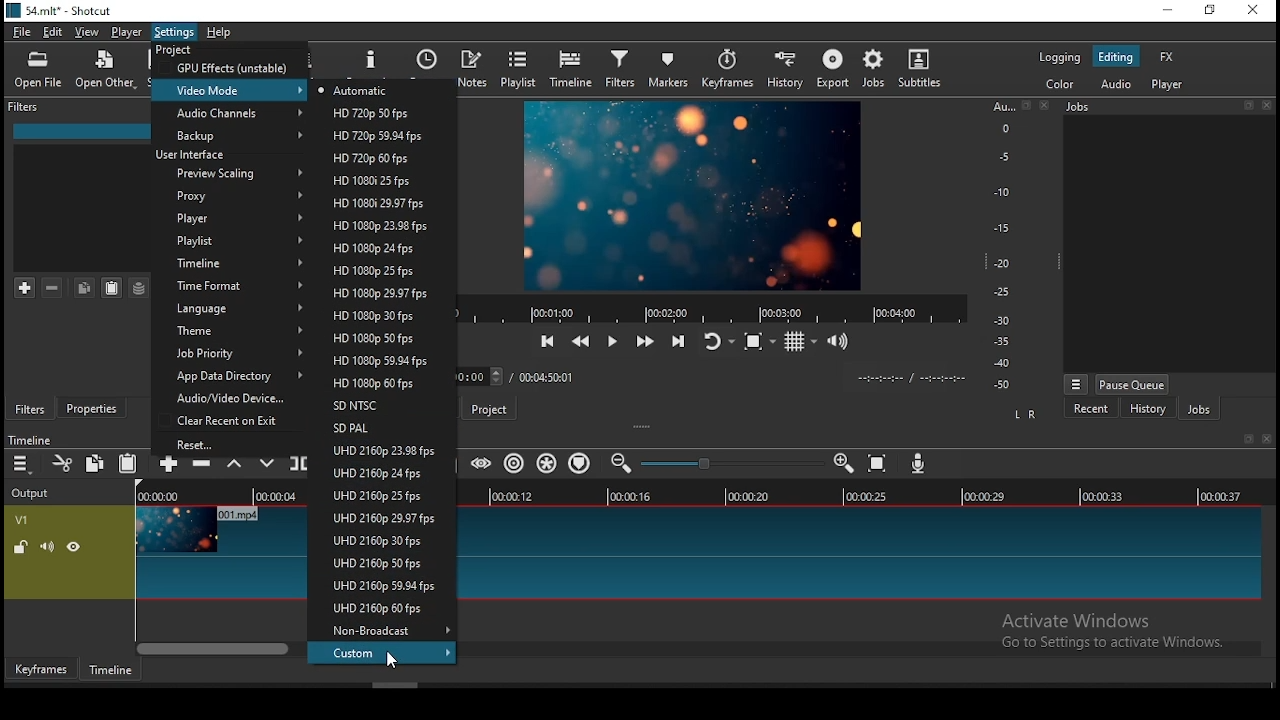  Describe the element at coordinates (1167, 11) in the screenshot. I see `minimize` at that location.